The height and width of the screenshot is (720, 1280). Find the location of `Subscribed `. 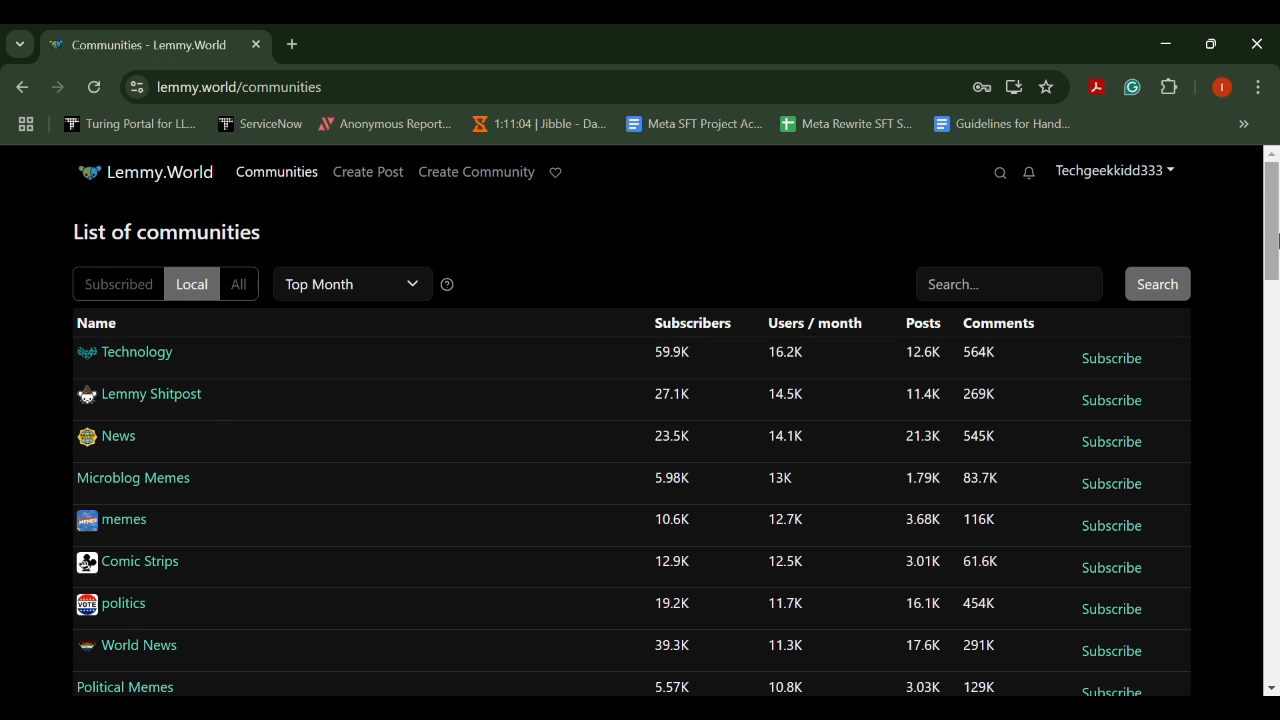

Subscribed  is located at coordinates (115, 282).